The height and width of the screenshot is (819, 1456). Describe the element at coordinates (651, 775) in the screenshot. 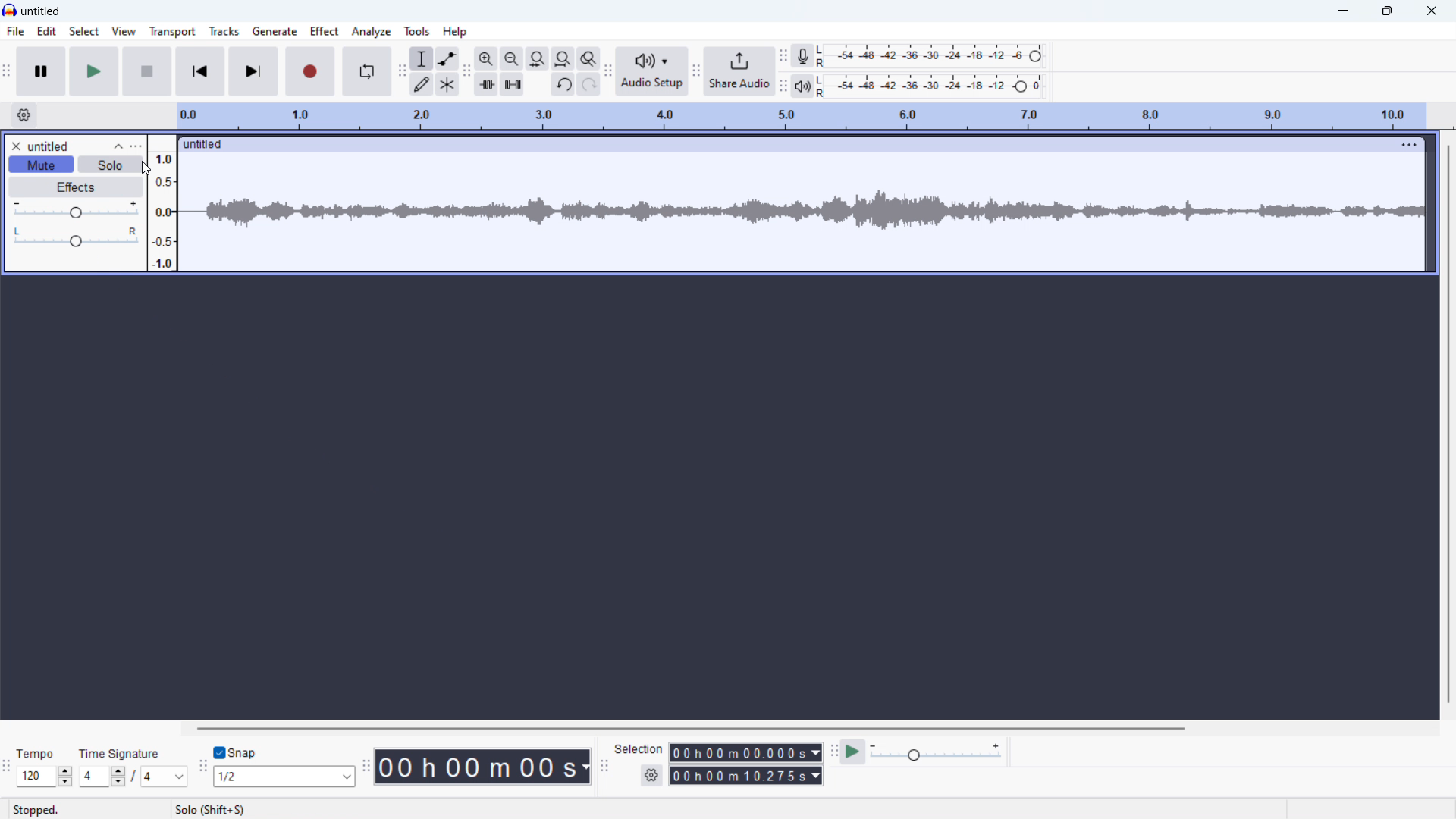

I see `selection settings` at that location.